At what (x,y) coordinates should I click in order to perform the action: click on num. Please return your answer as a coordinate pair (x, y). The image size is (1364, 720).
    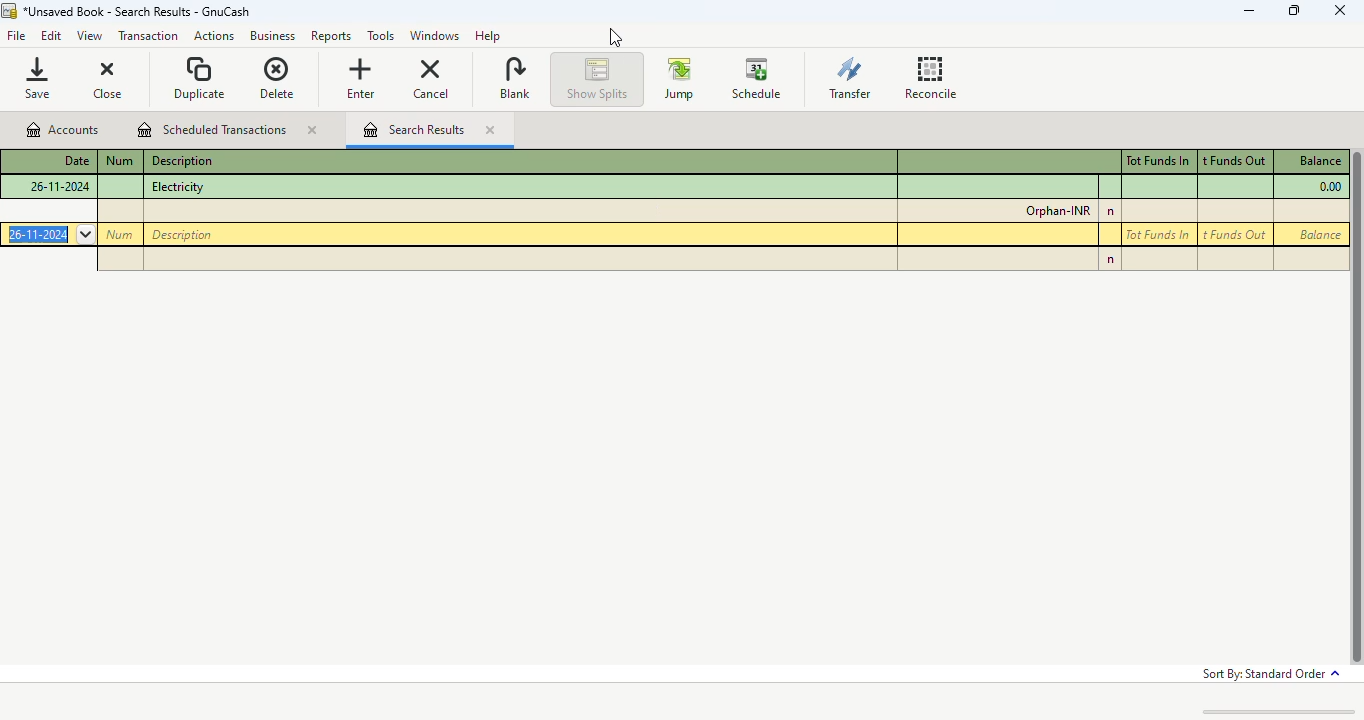
    Looking at the image, I should click on (119, 160).